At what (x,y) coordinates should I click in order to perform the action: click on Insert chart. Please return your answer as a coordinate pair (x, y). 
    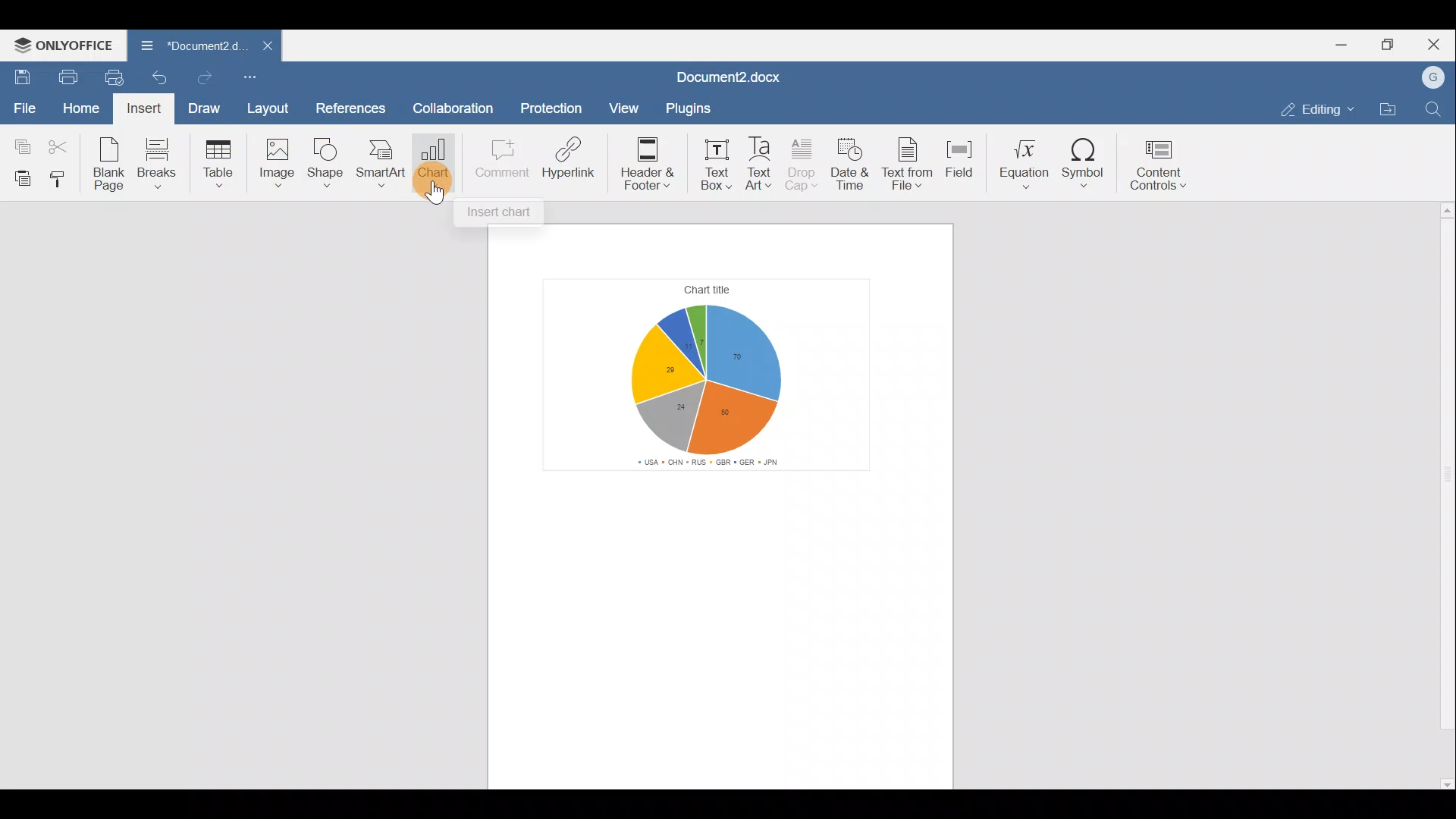
    Looking at the image, I should click on (504, 214).